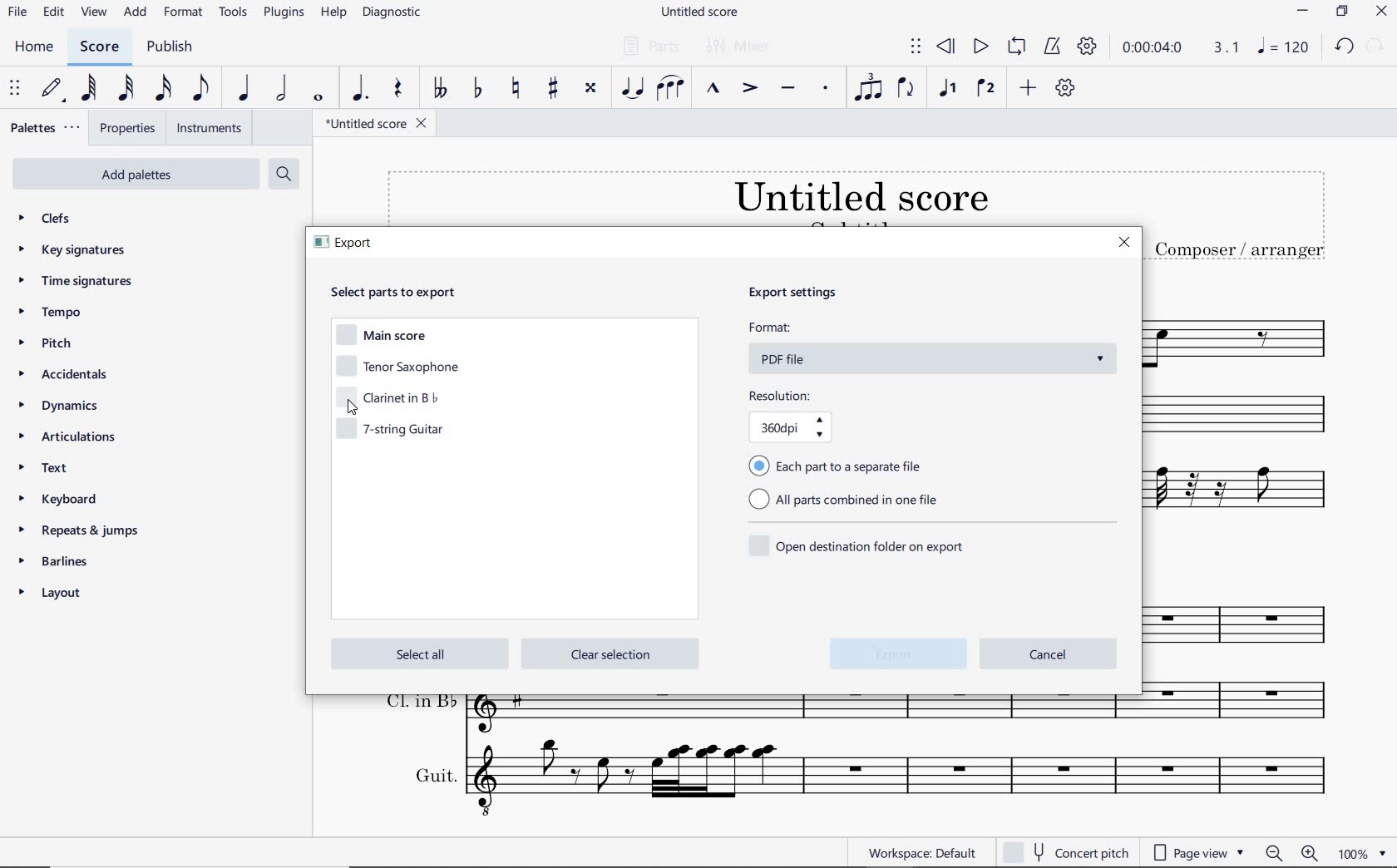  What do you see at coordinates (234, 13) in the screenshot?
I see `TOOLS` at bounding box center [234, 13].